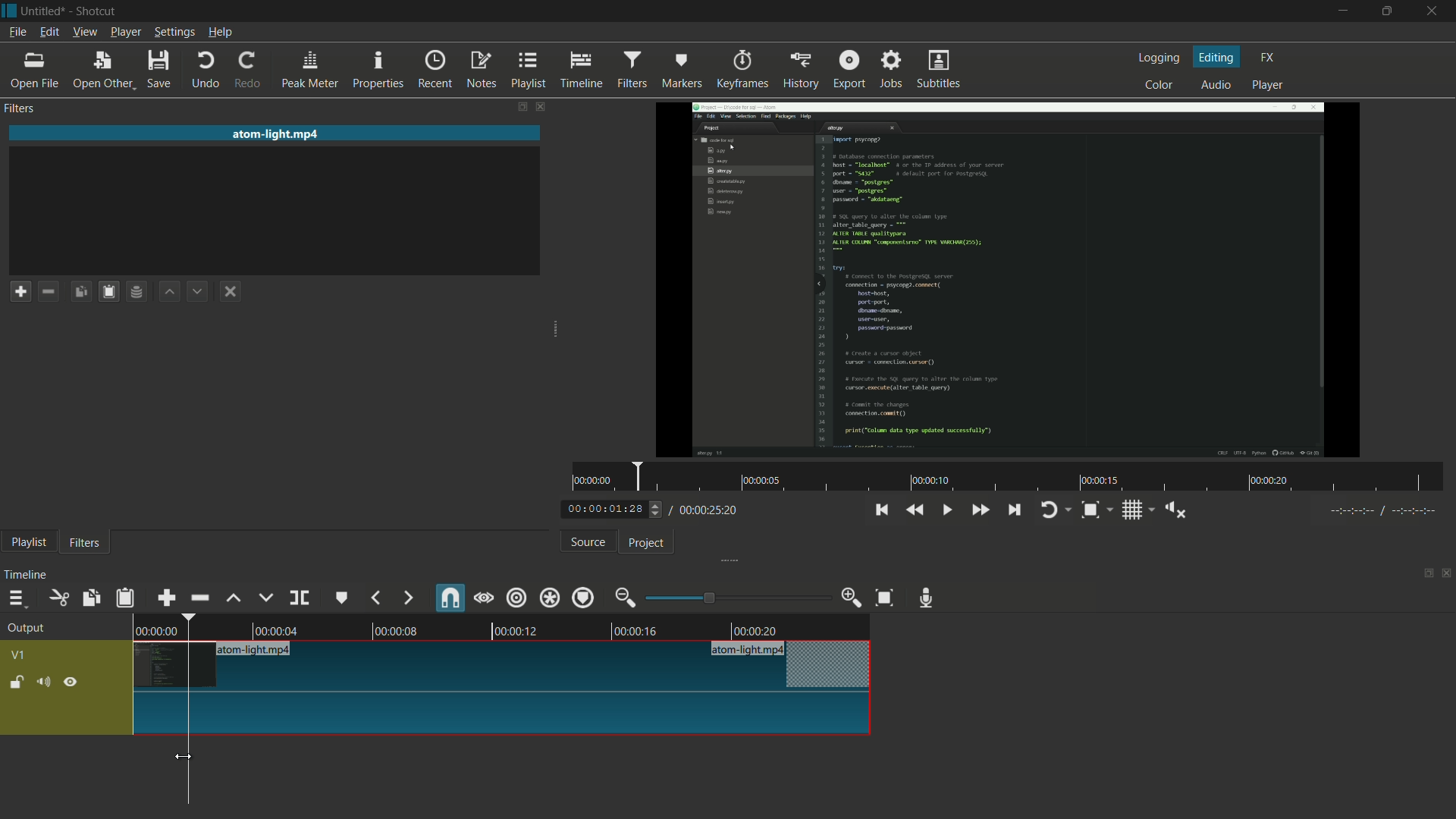 This screenshot has height=819, width=1456. Describe the element at coordinates (893, 67) in the screenshot. I see `jobs` at that location.